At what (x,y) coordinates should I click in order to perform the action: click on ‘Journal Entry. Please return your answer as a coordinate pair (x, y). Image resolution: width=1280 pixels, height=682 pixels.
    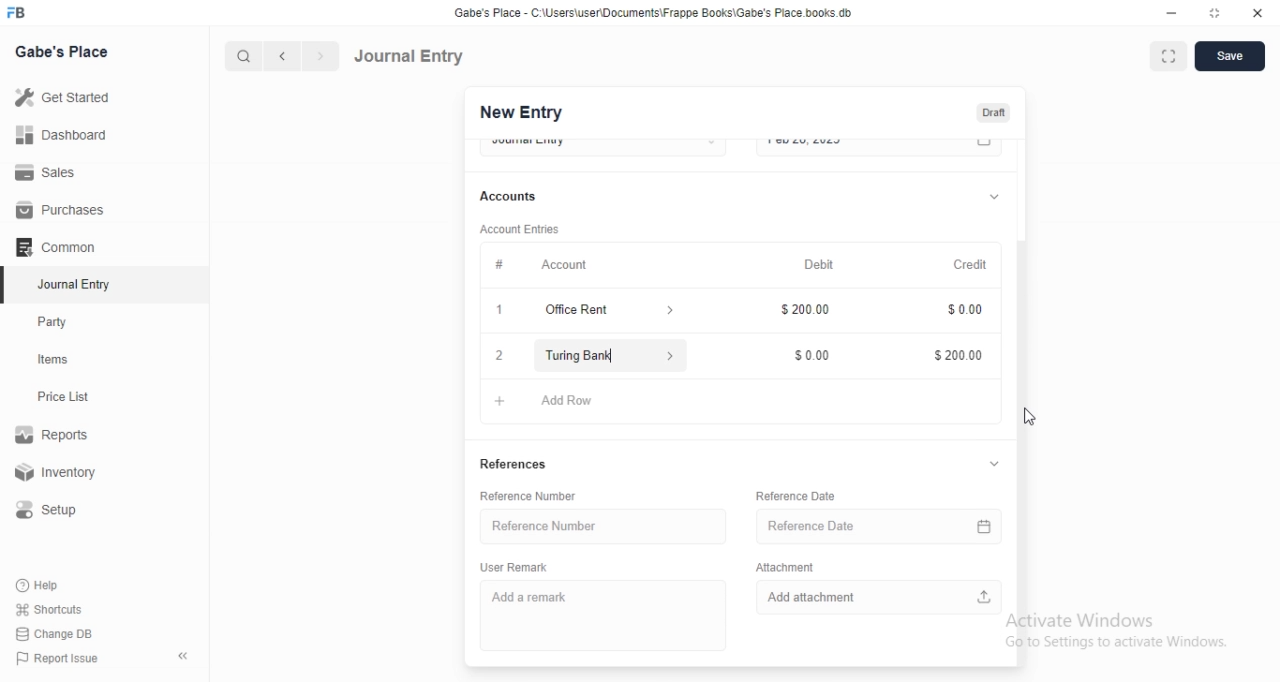
    Looking at the image, I should click on (77, 284).